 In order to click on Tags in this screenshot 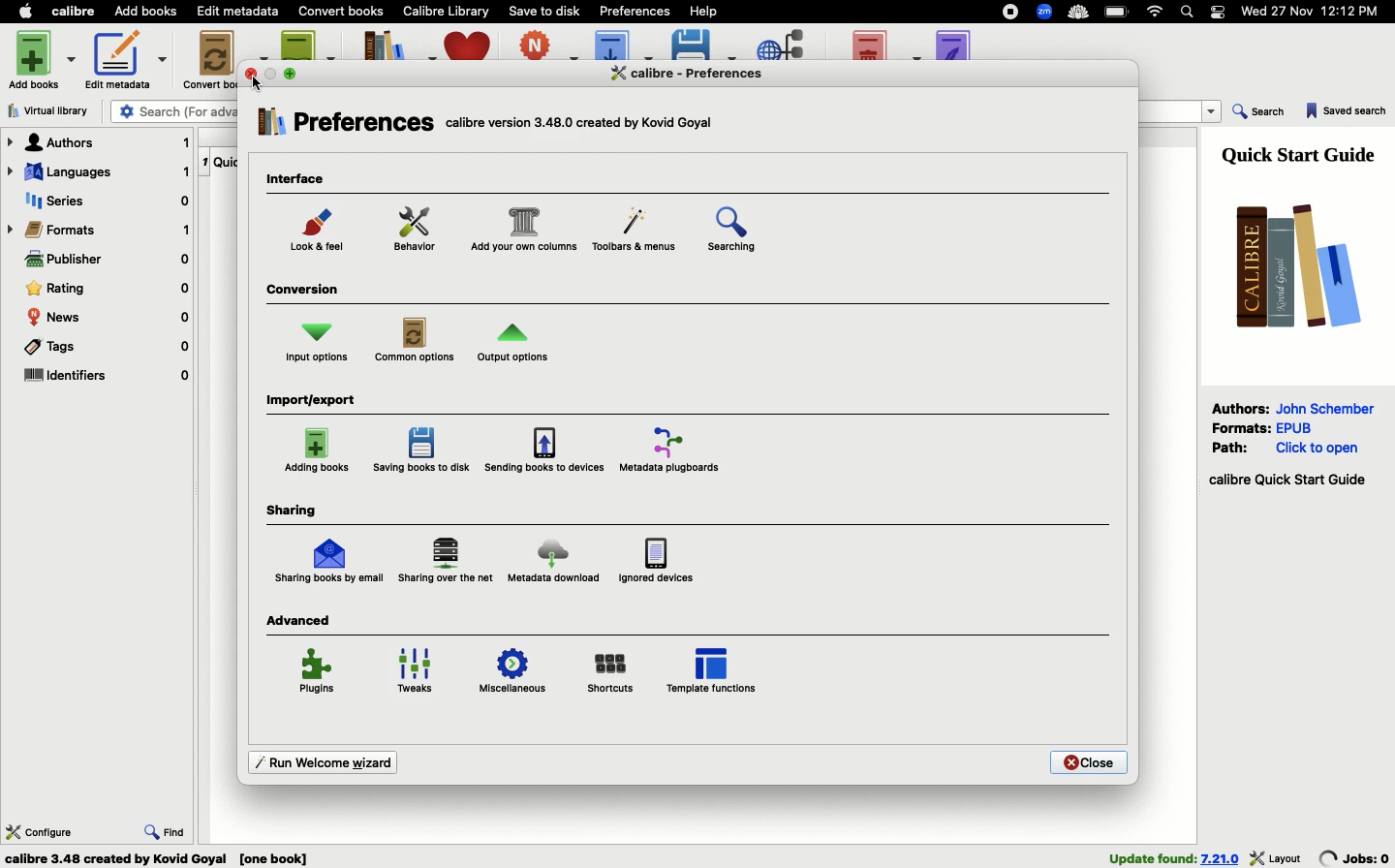, I will do `click(105, 350)`.